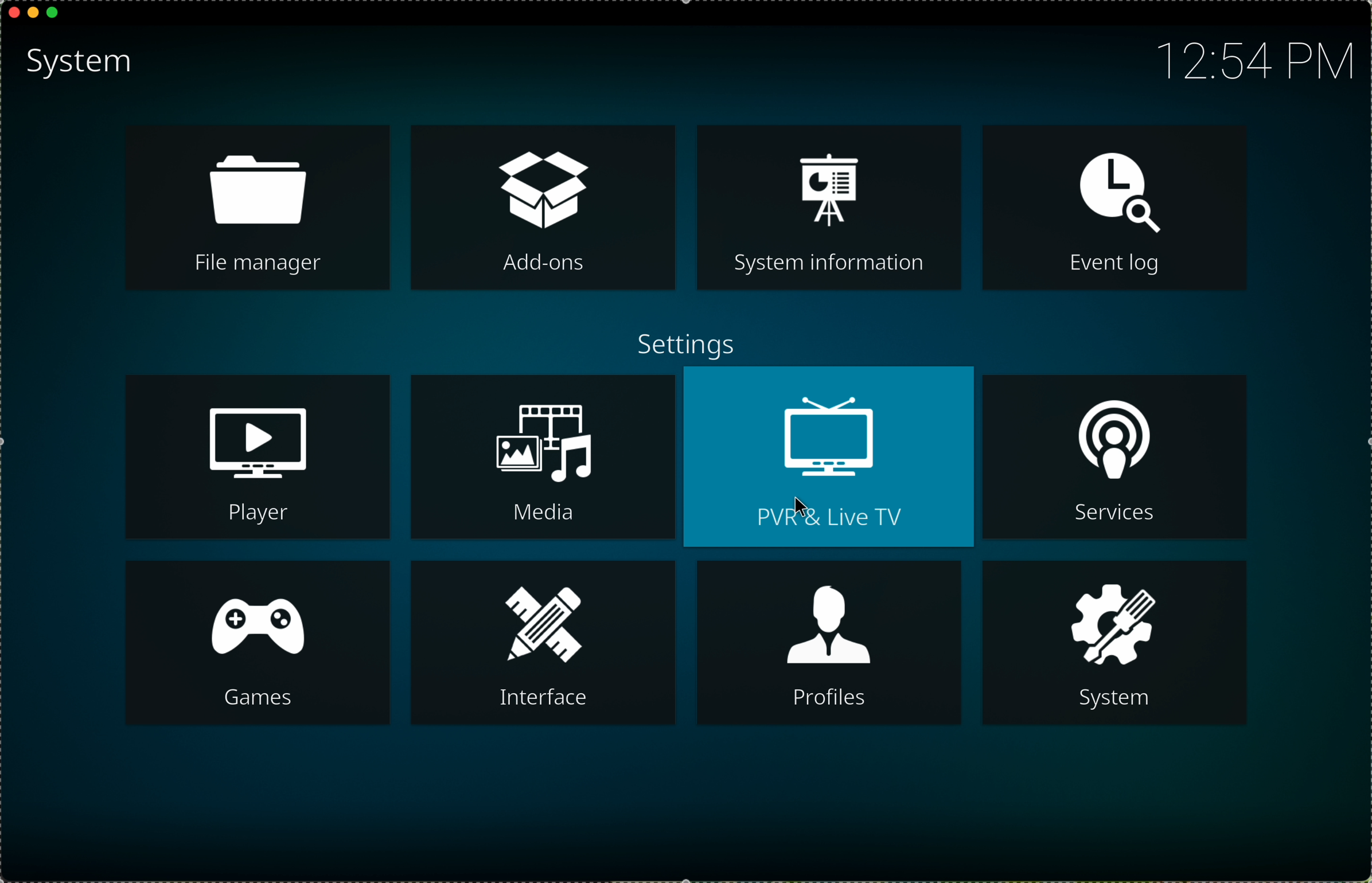 This screenshot has width=1372, height=883. What do you see at coordinates (543, 458) in the screenshot?
I see `media option` at bounding box center [543, 458].